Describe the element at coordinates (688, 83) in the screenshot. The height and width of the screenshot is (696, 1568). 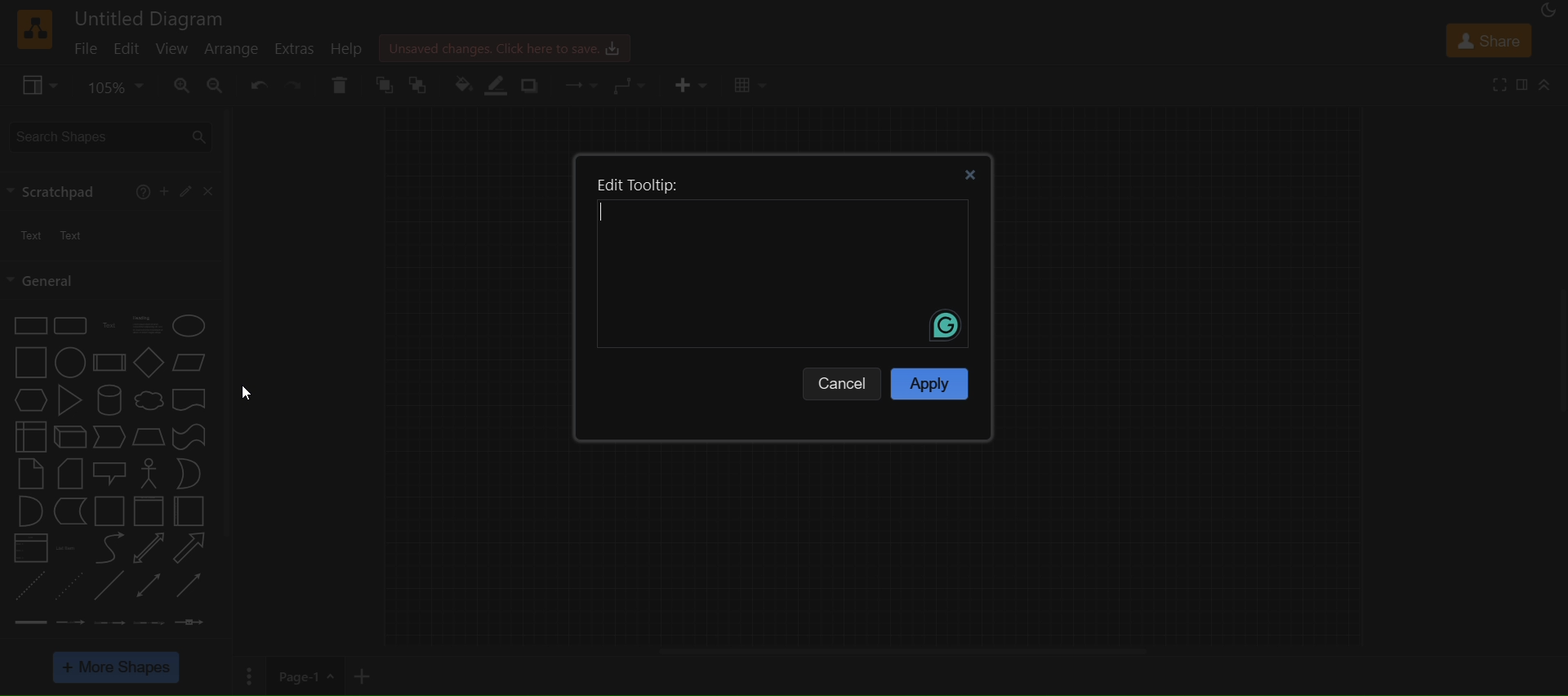
I see `insert` at that location.